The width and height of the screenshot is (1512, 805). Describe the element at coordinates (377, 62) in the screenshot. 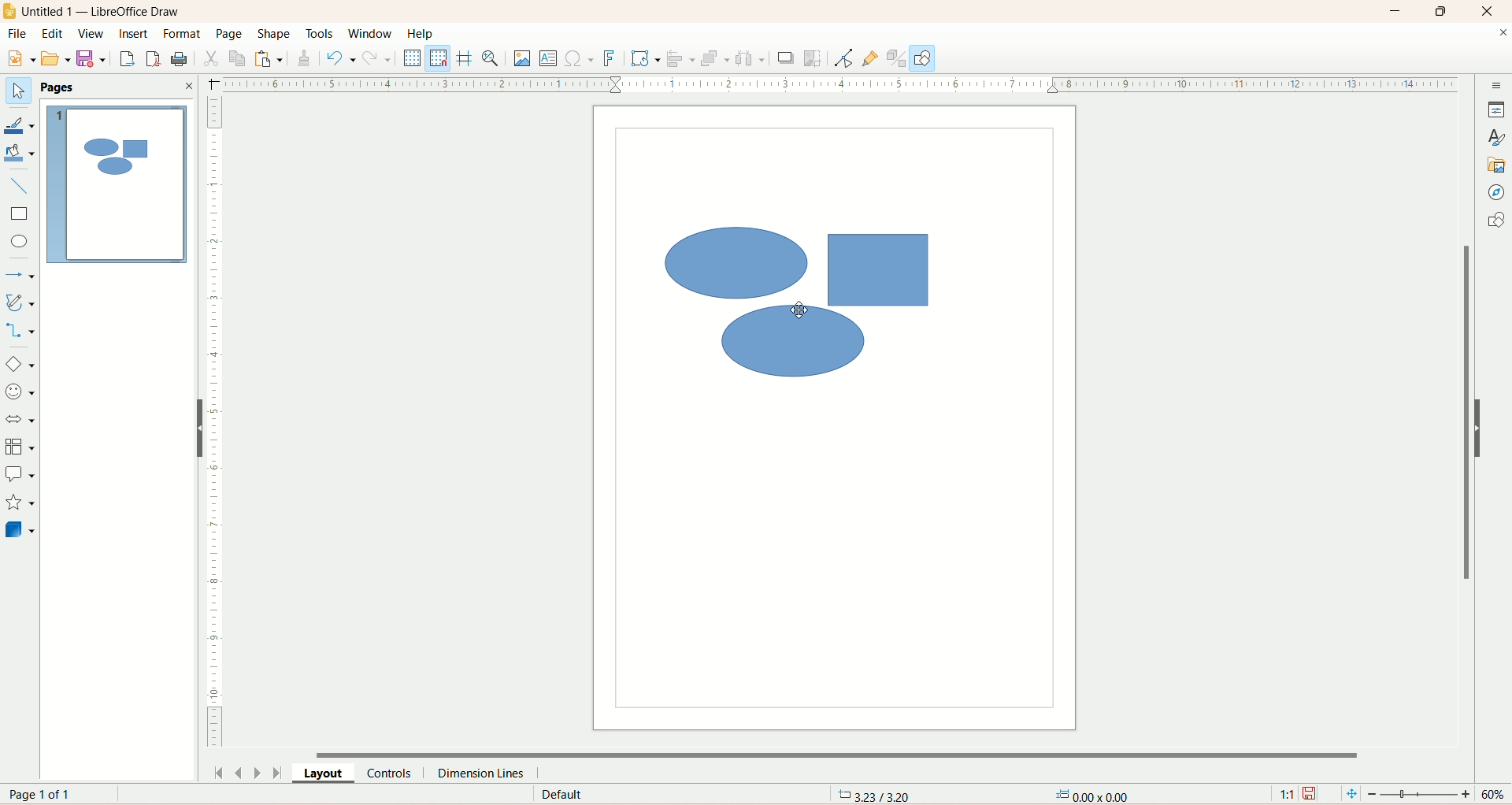

I see `redo` at that location.